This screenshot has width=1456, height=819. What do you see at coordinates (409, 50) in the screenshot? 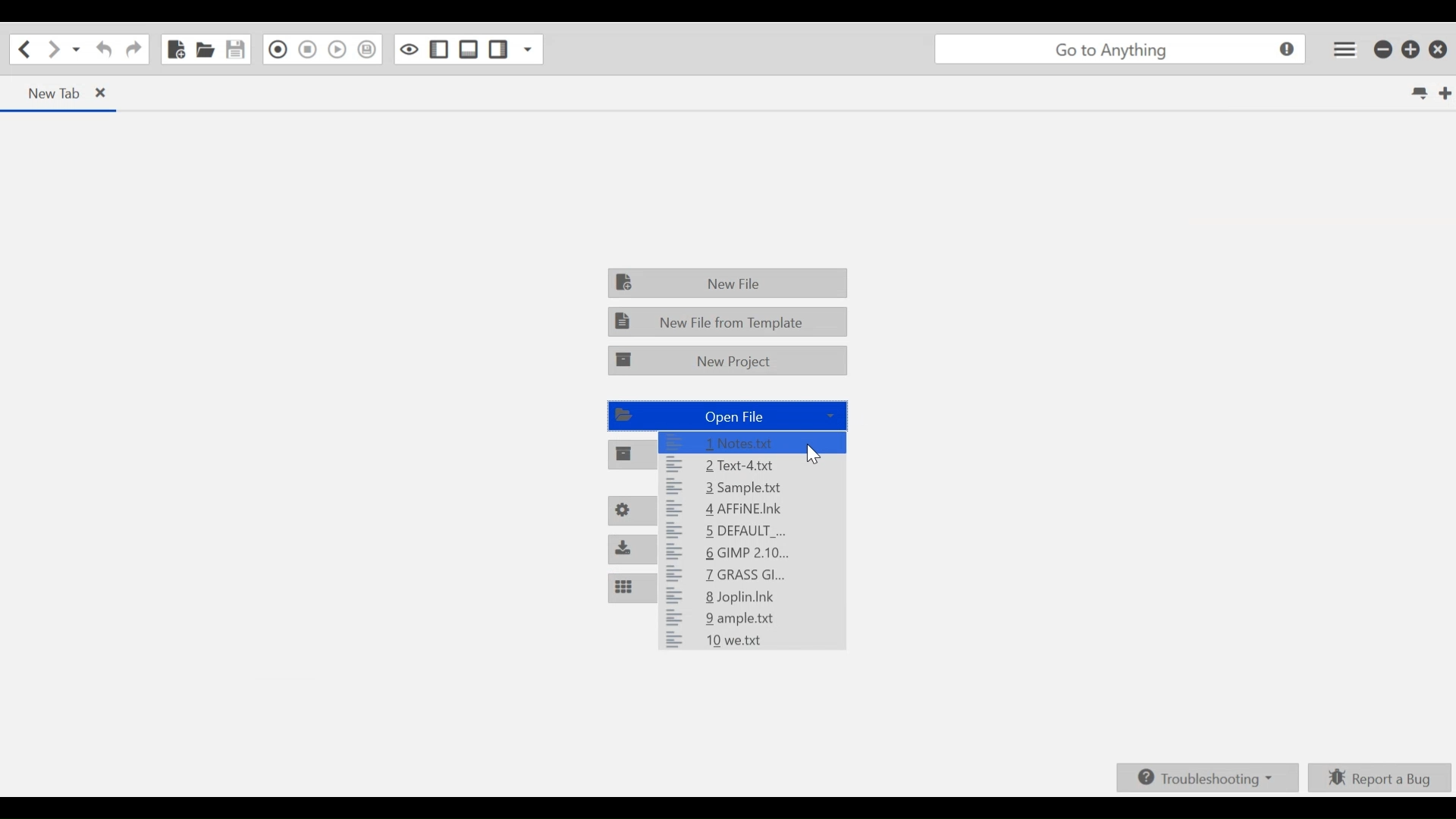
I see `Toggle focus mode` at bounding box center [409, 50].